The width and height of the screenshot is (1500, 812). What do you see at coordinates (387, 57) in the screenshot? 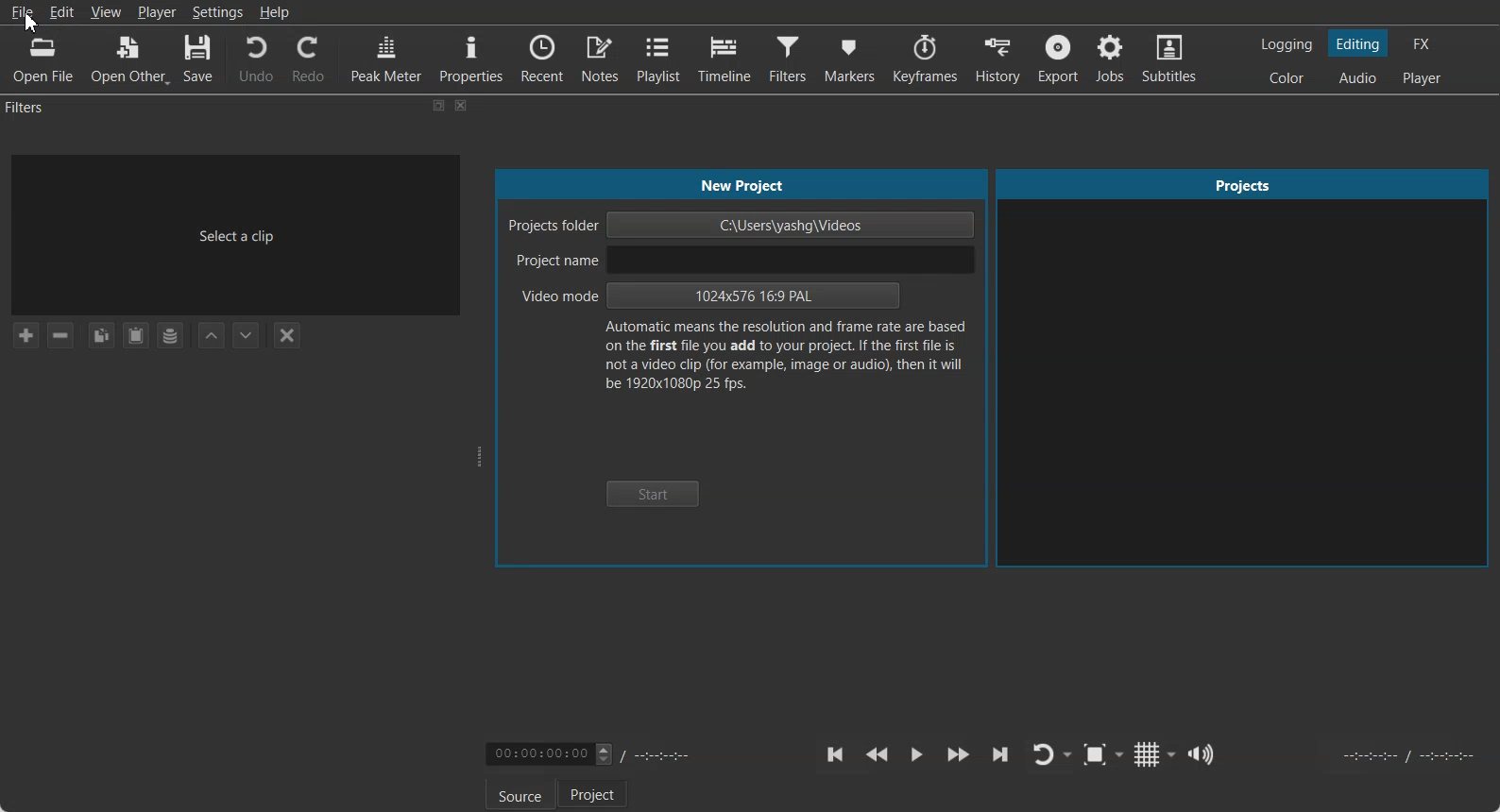
I see `Peak Meter` at bounding box center [387, 57].